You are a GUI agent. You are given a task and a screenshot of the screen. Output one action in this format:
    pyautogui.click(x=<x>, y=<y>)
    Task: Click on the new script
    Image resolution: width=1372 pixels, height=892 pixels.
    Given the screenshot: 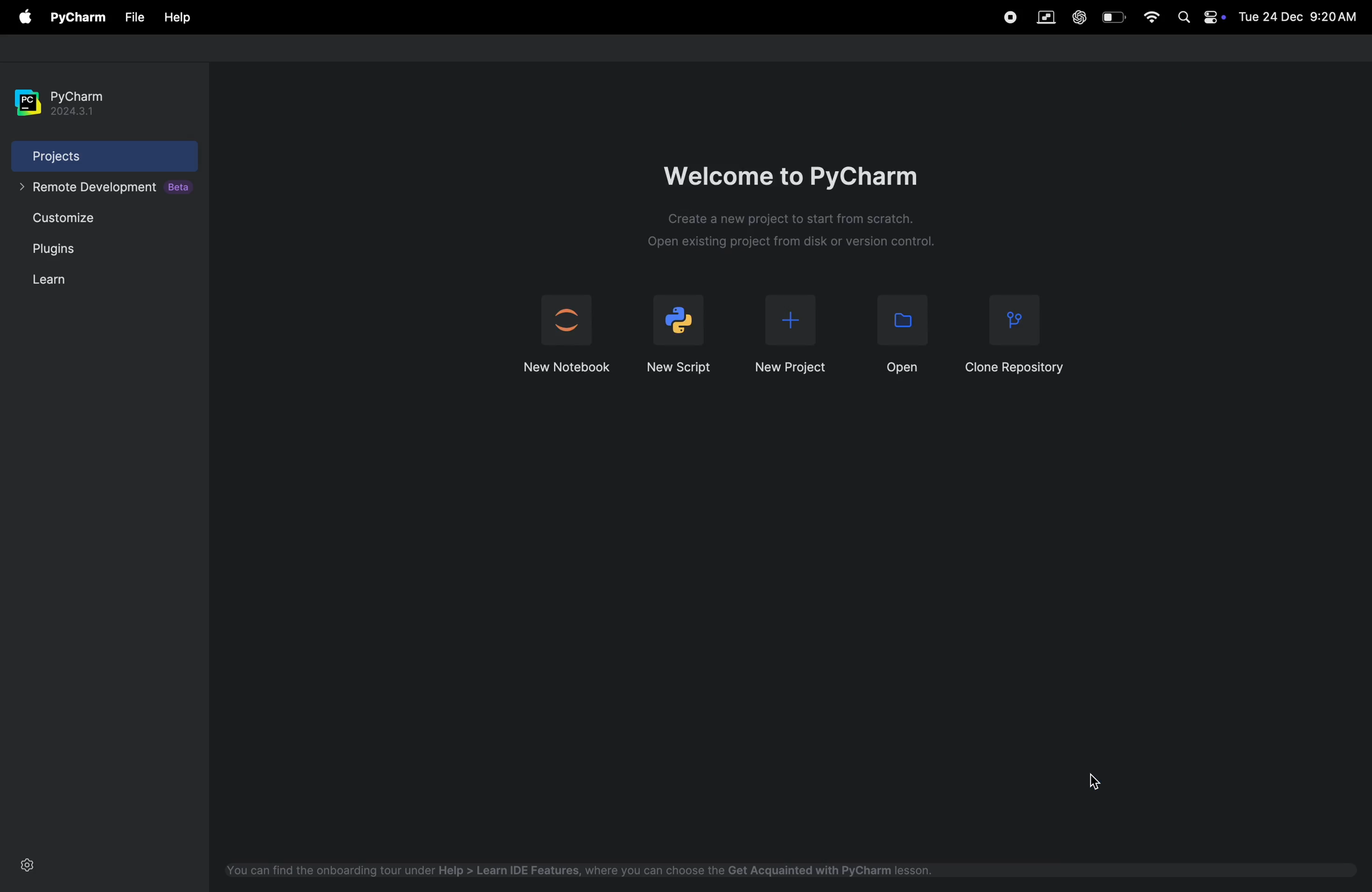 What is the action you would take?
    pyautogui.click(x=683, y=334)
    